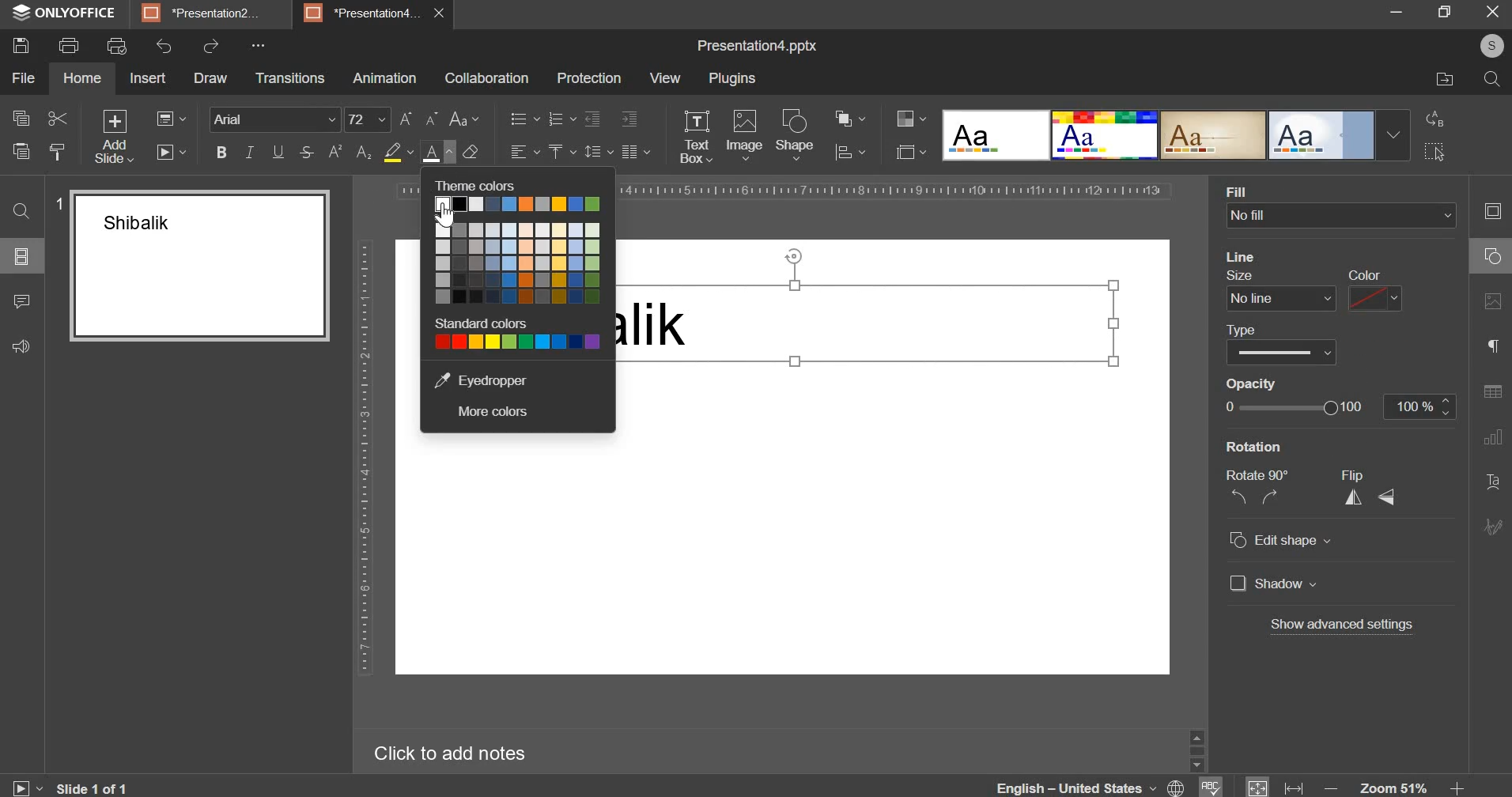 Image resolution: width=1512 pixels, height=797 pixels. Describe the element at coordinates (629, 119) in the screenshot. I see `increase indent` at that location.